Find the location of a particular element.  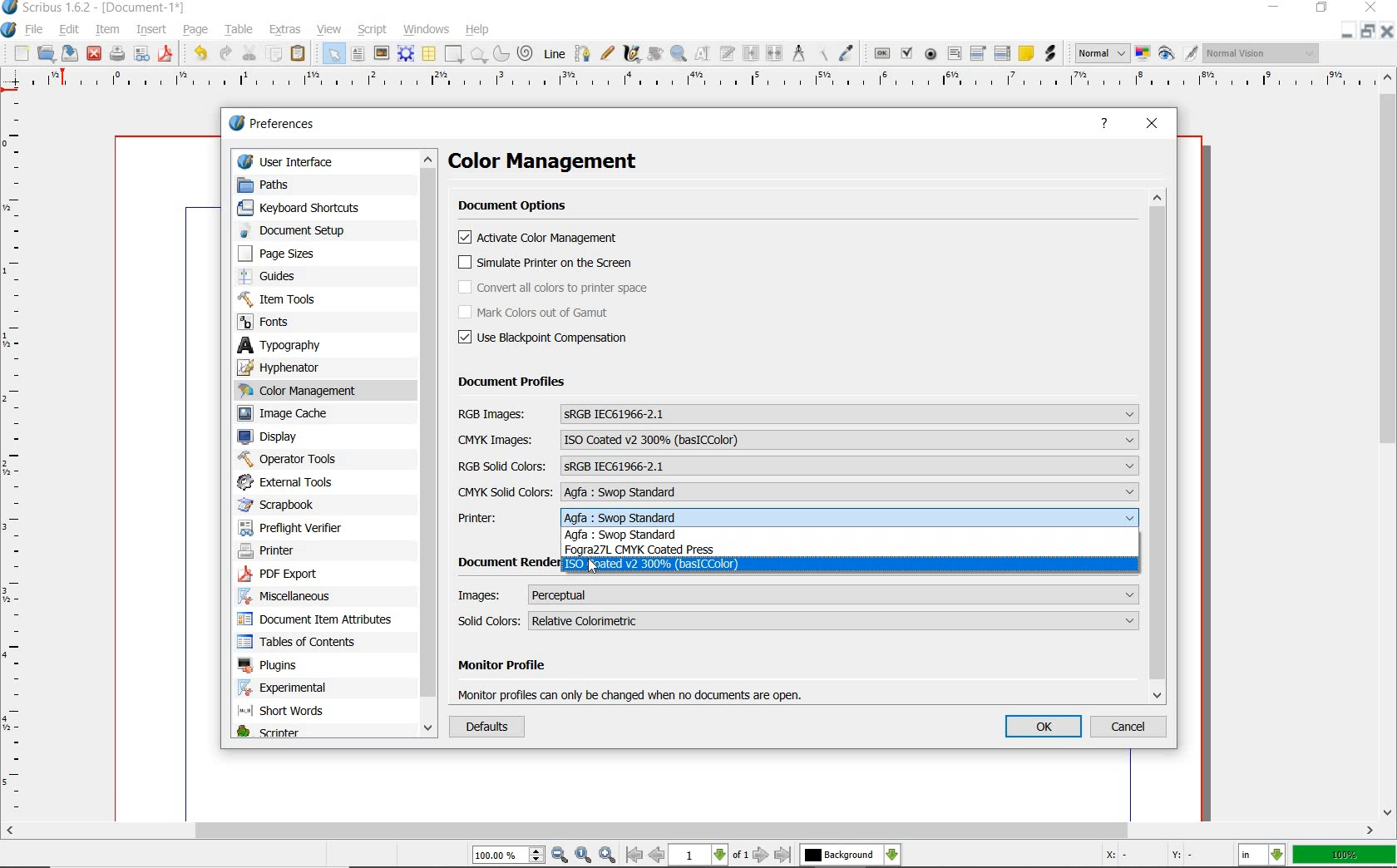

minimize is located at coordinates (1348, 33).